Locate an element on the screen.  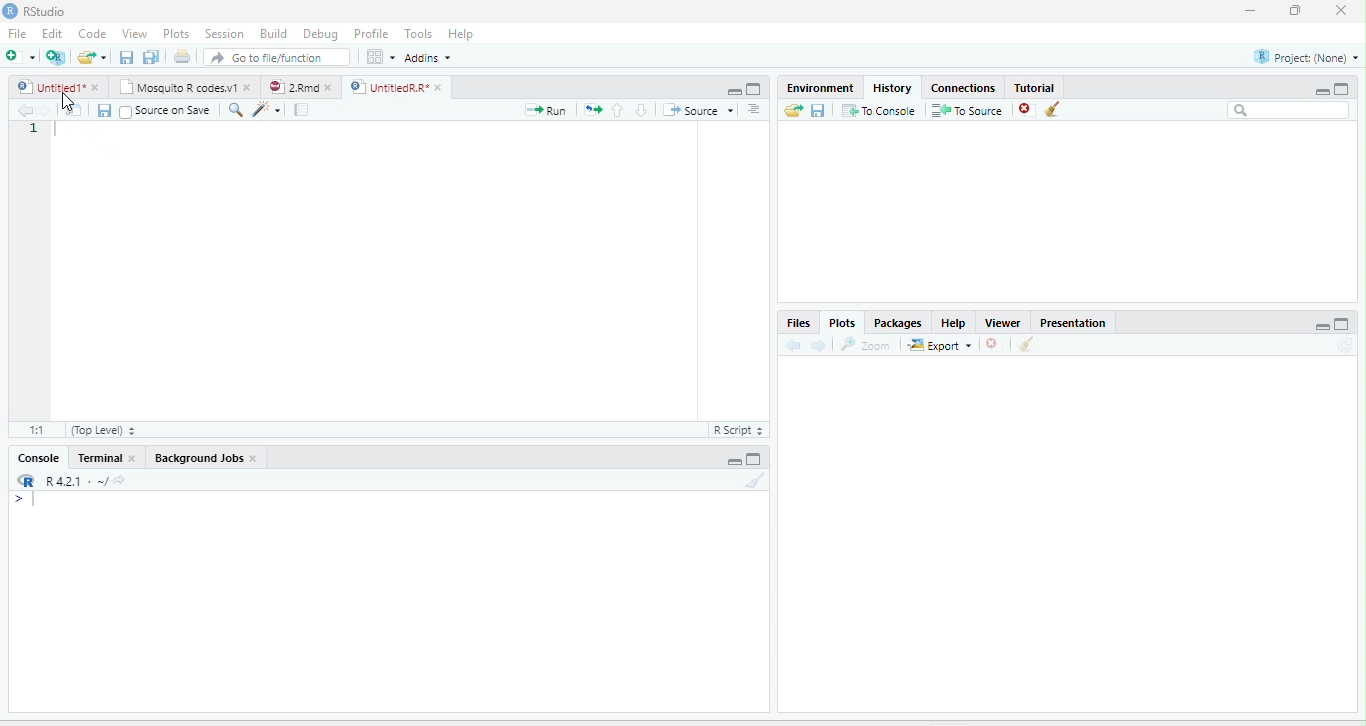
New line is located at coordinates (25, 500).